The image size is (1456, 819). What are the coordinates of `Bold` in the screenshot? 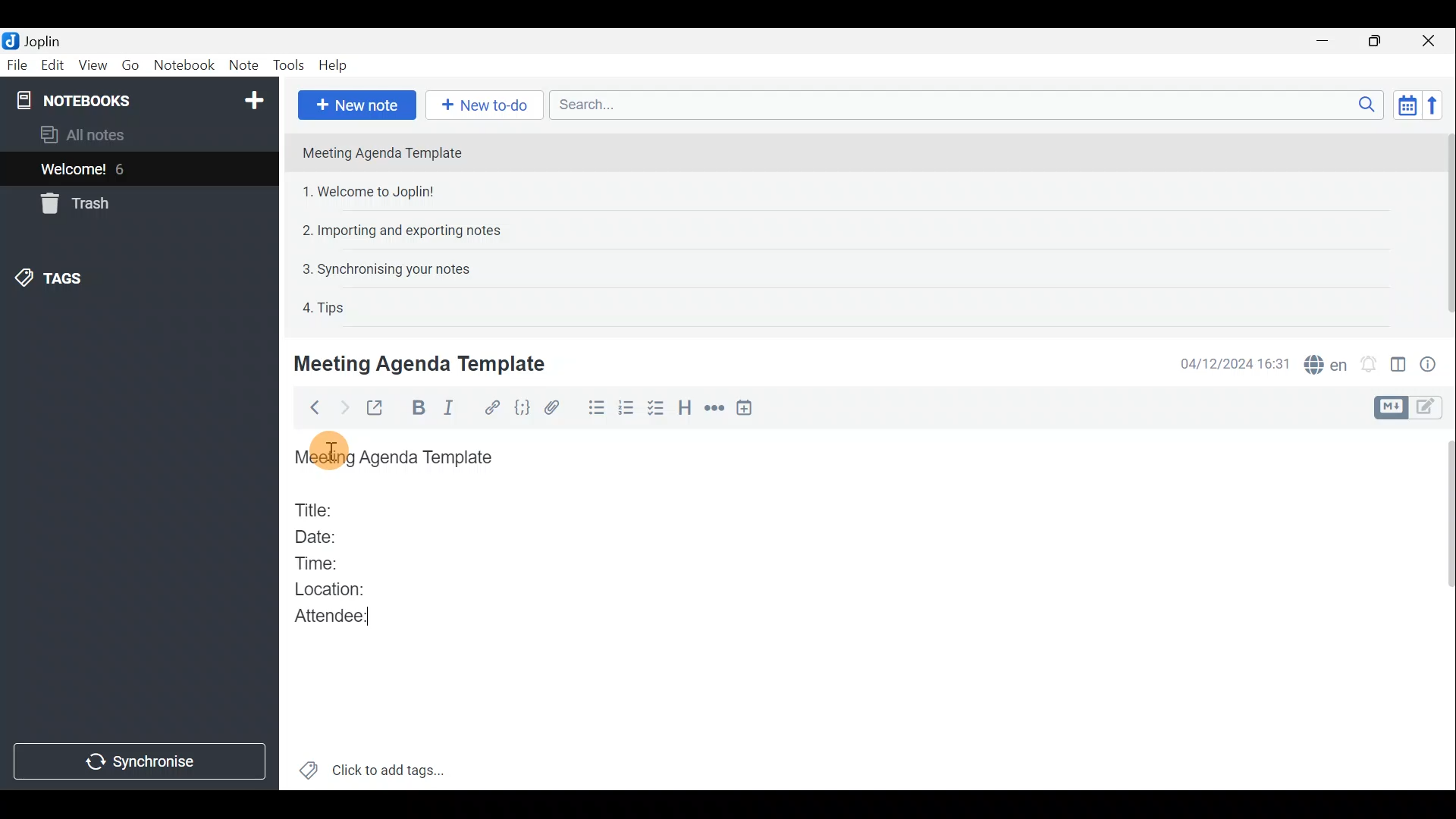 It's located at (419, 408).